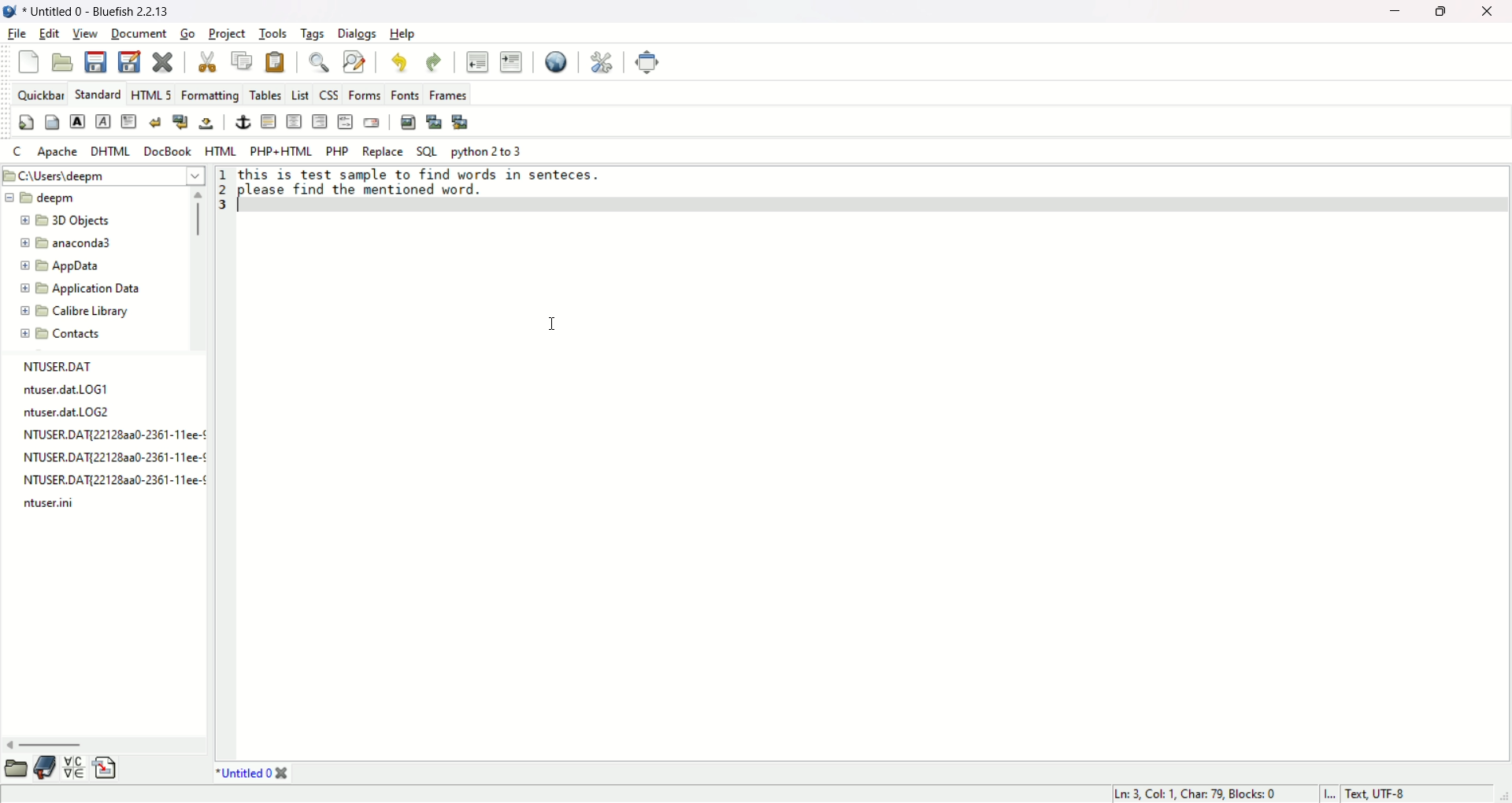 This screenshot has height=803, width=1512. I want to click on close current file, so click(162, 61).